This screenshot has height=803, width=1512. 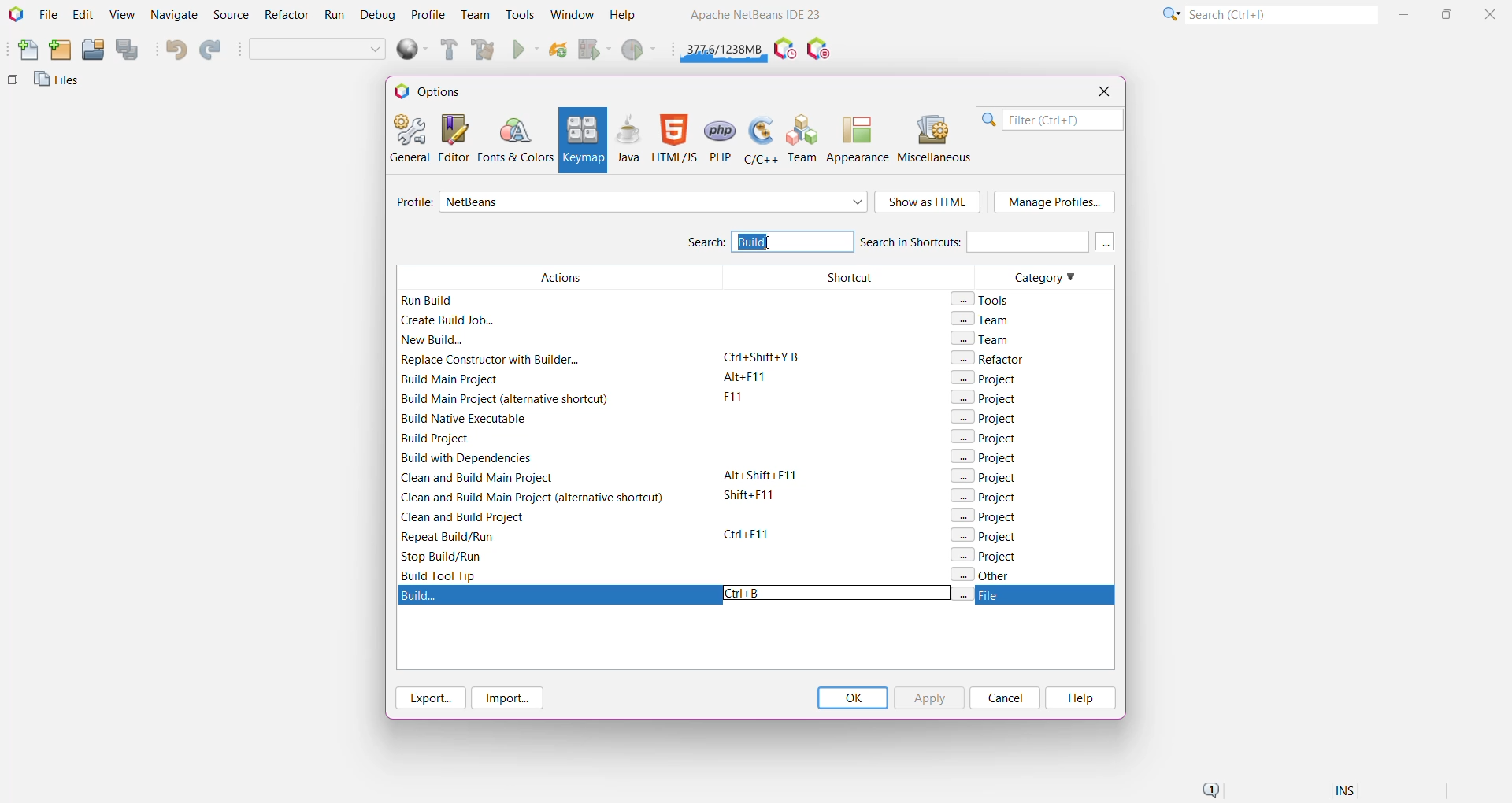 What do you see at coordinates (521, 13) in the screenshot?
I see `Tools` at bounding box center [521, 13].